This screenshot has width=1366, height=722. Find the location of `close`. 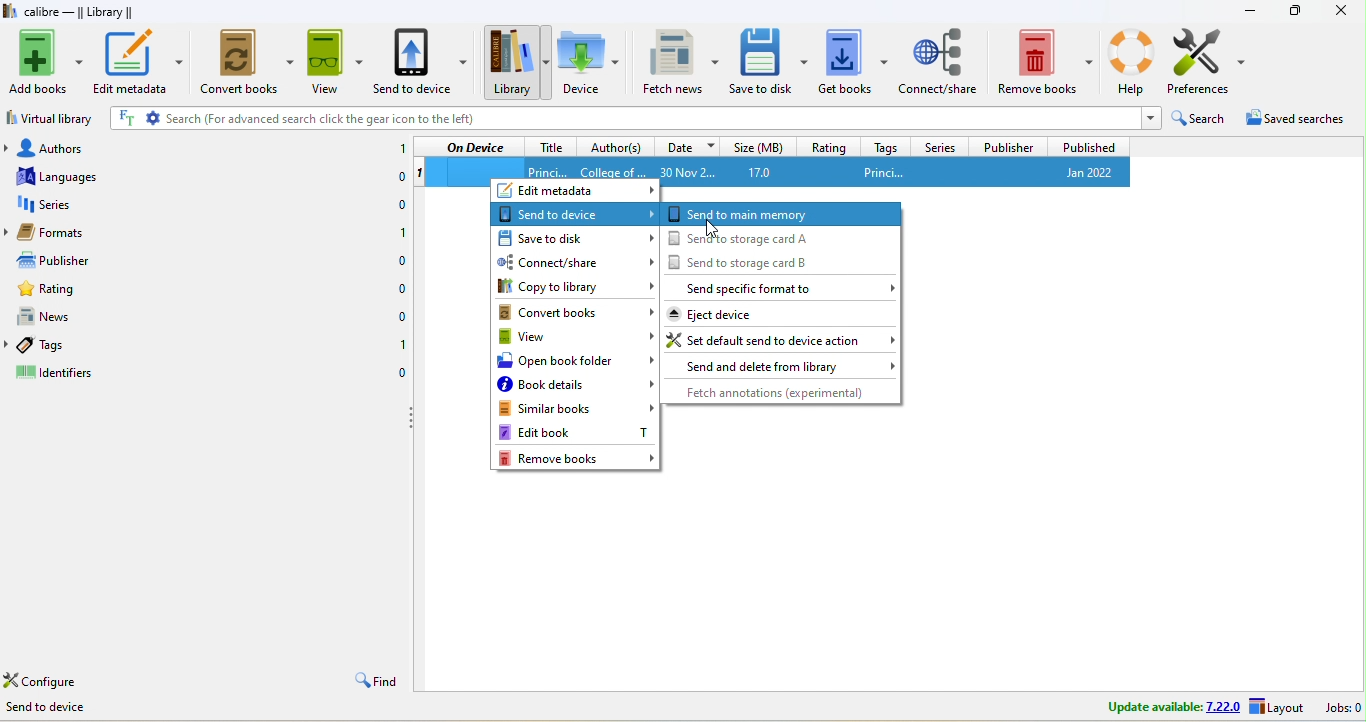

close is located at coordinates (1340, 11).